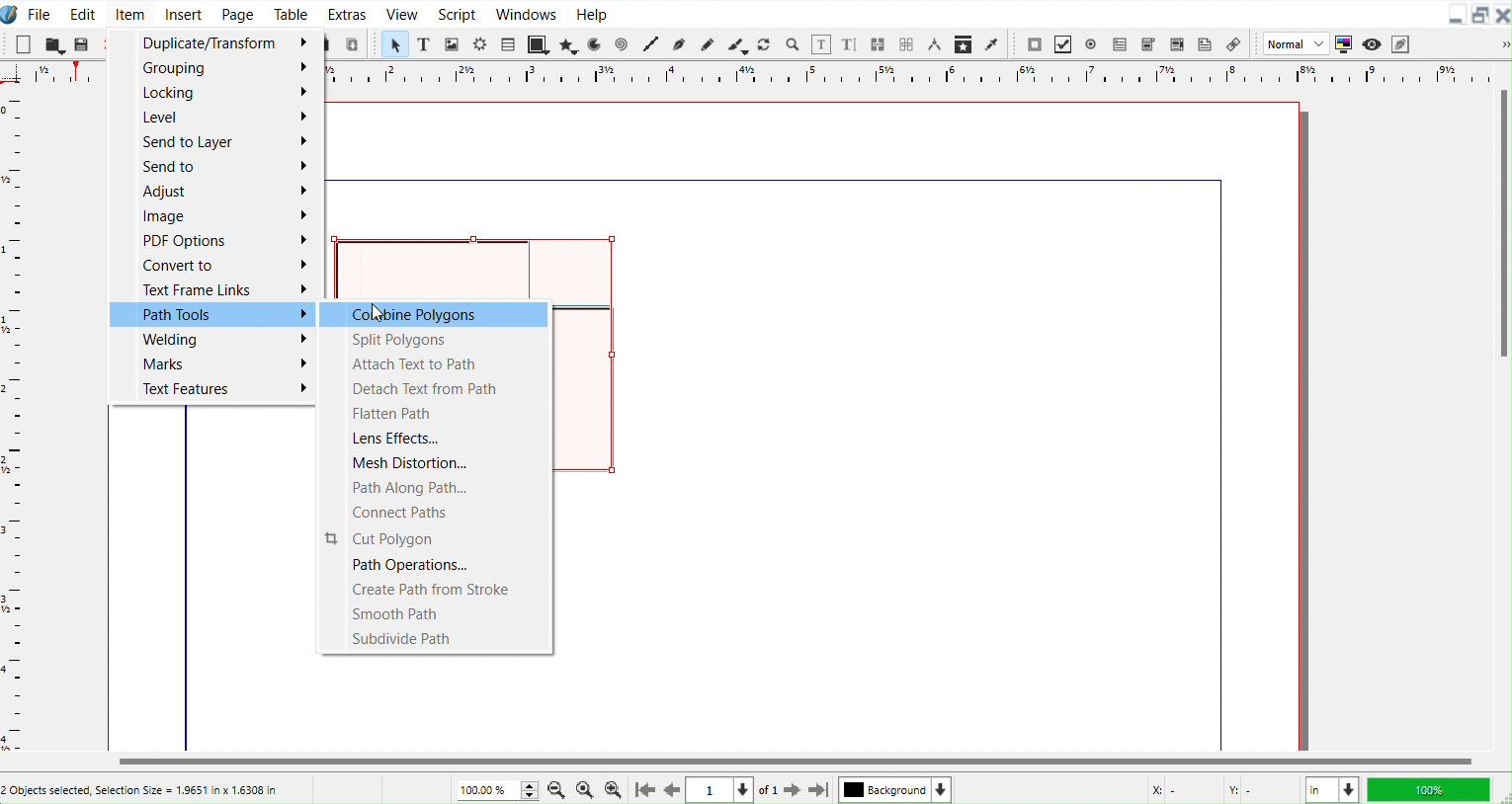 Image resolution: width=1512 pixels, height=804 pixels. Describe the element at coordinates (433, 362) in the screenshot. I see `Attach Text to Path` at that location.